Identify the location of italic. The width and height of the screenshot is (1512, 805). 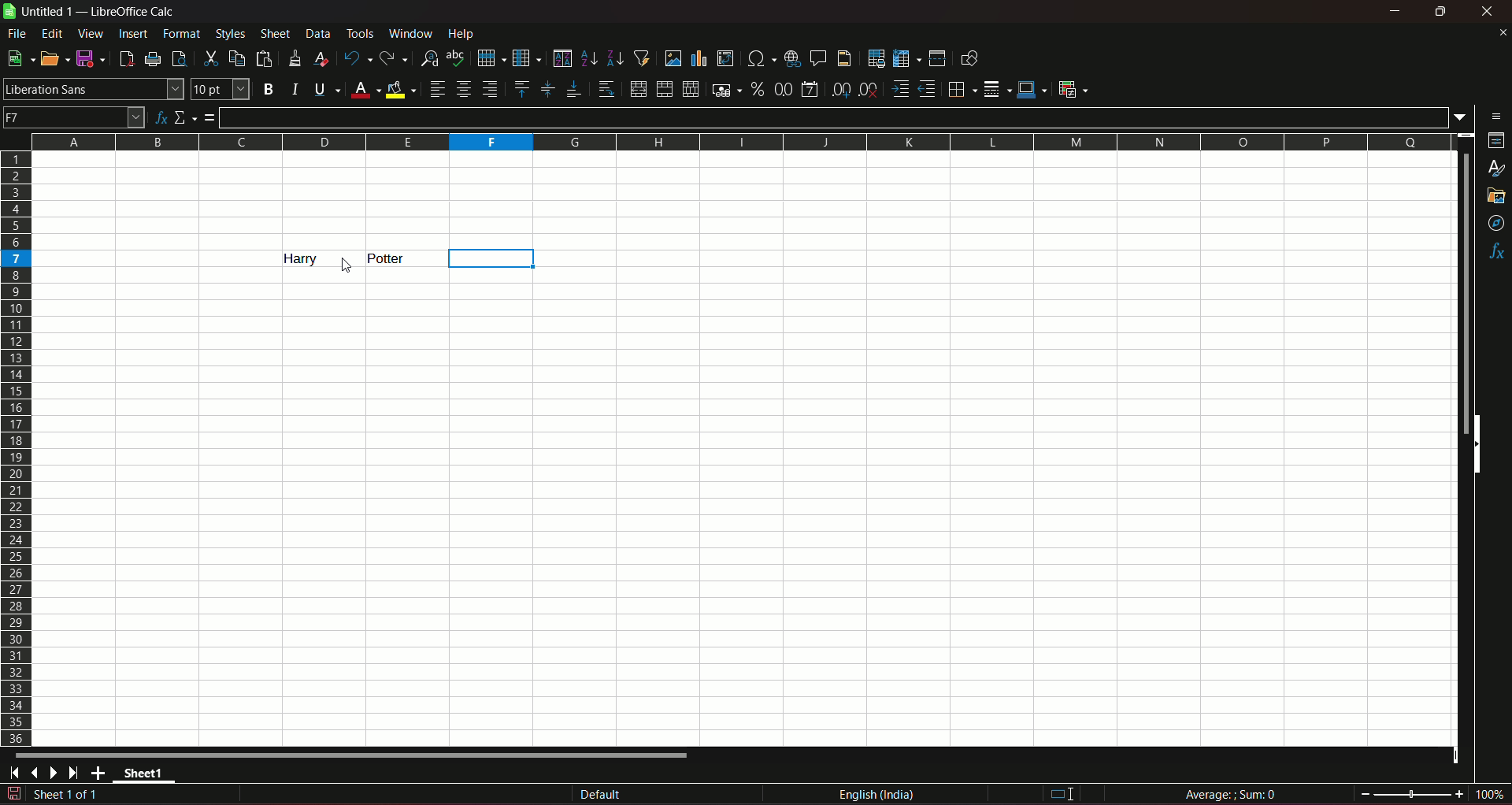
(295, 88).